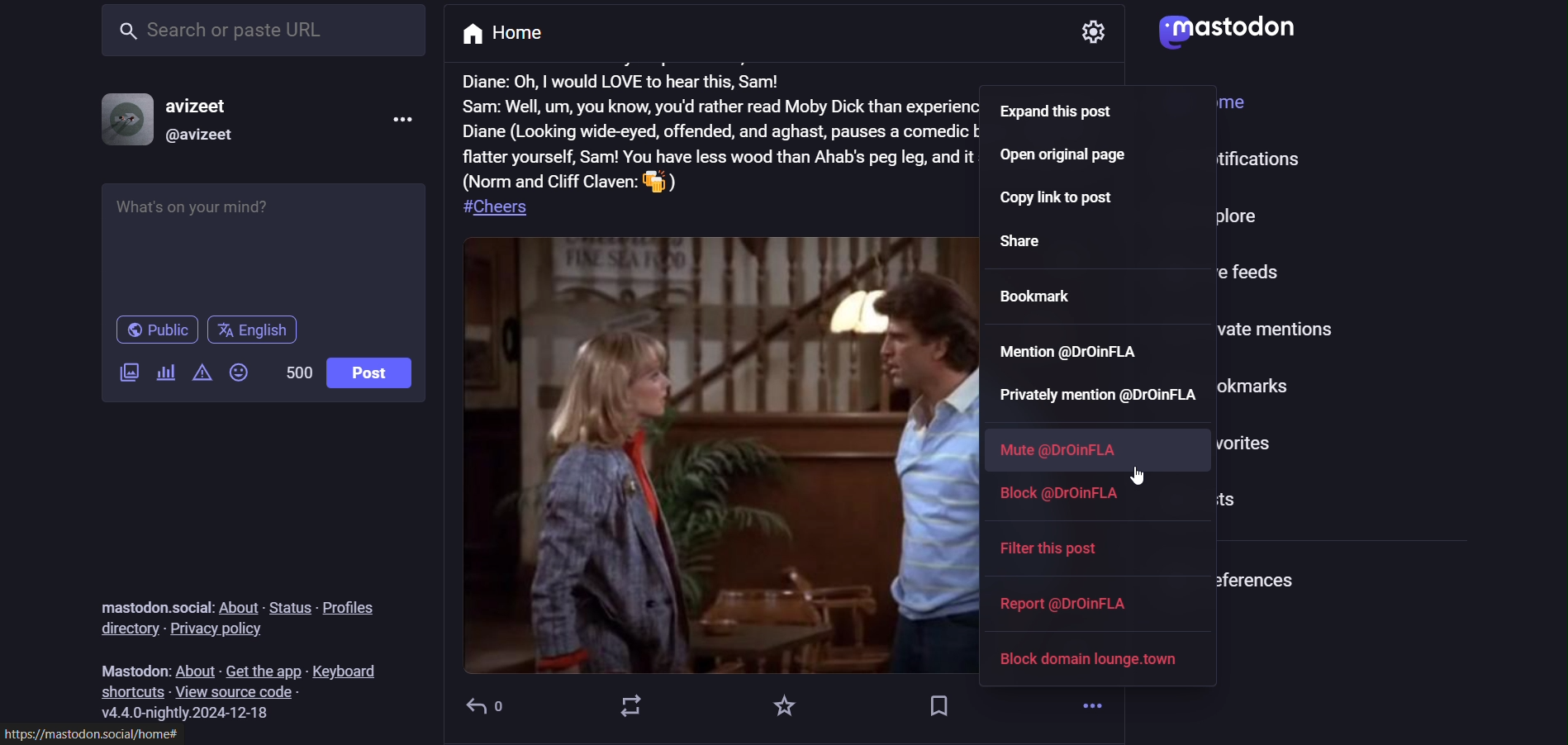 The height and width of the screenshot is (745, 1568). I want to click on profiles, so click(354, 607).